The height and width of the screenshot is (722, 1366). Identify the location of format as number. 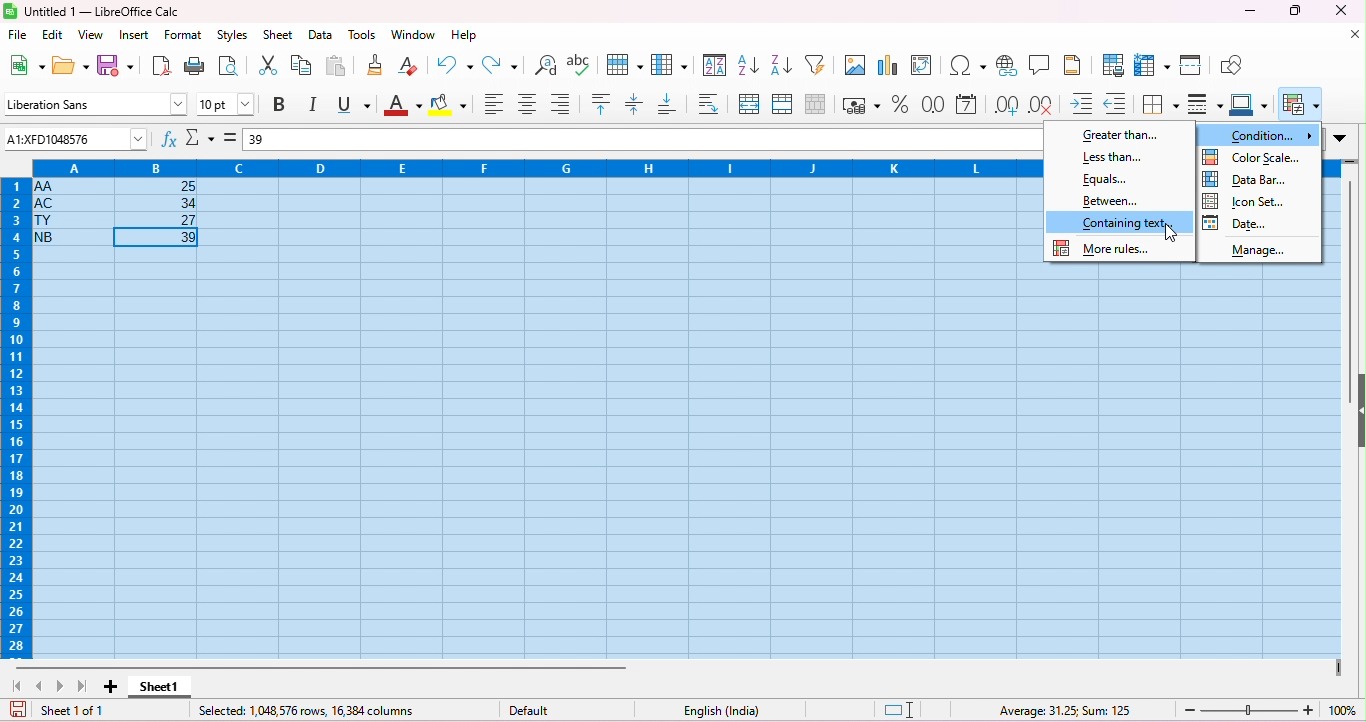
(934, 104).